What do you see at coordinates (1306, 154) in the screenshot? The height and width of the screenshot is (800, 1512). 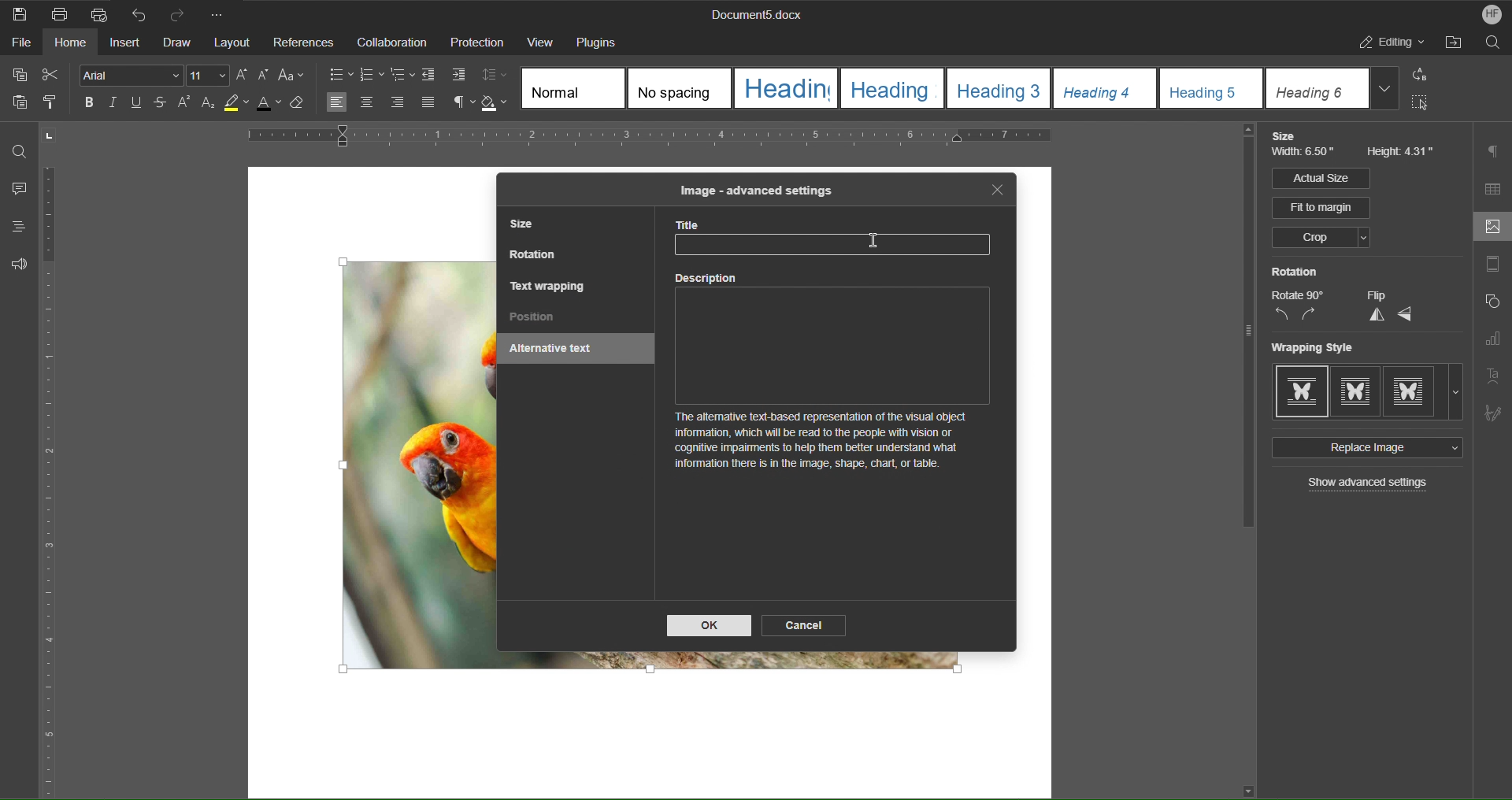 I see `Width` at bounding box center [1306, 154].